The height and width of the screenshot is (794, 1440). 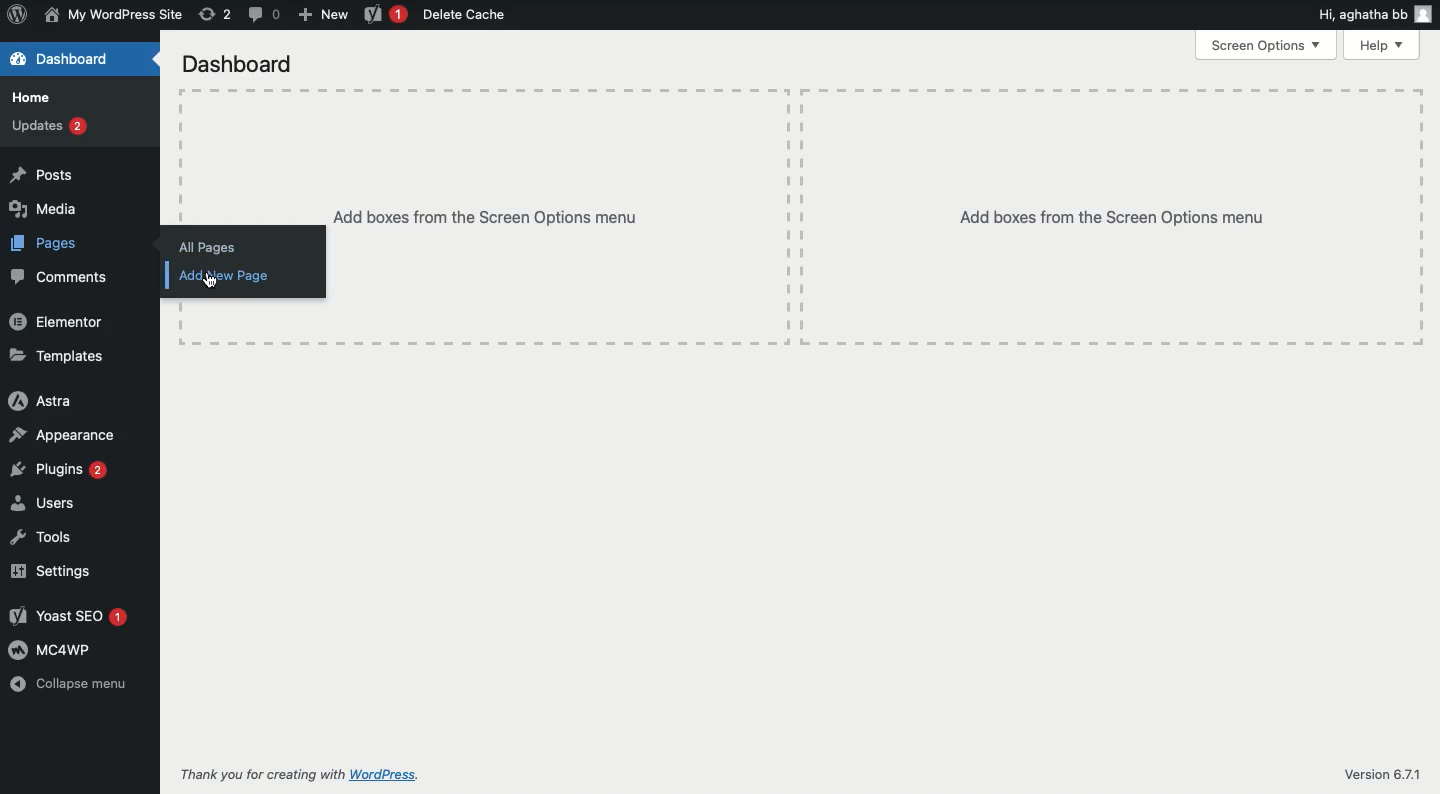 What do you see at coordinates (44, 206) in the screenshot?
I see `Media` at bounding box center [44, 206].